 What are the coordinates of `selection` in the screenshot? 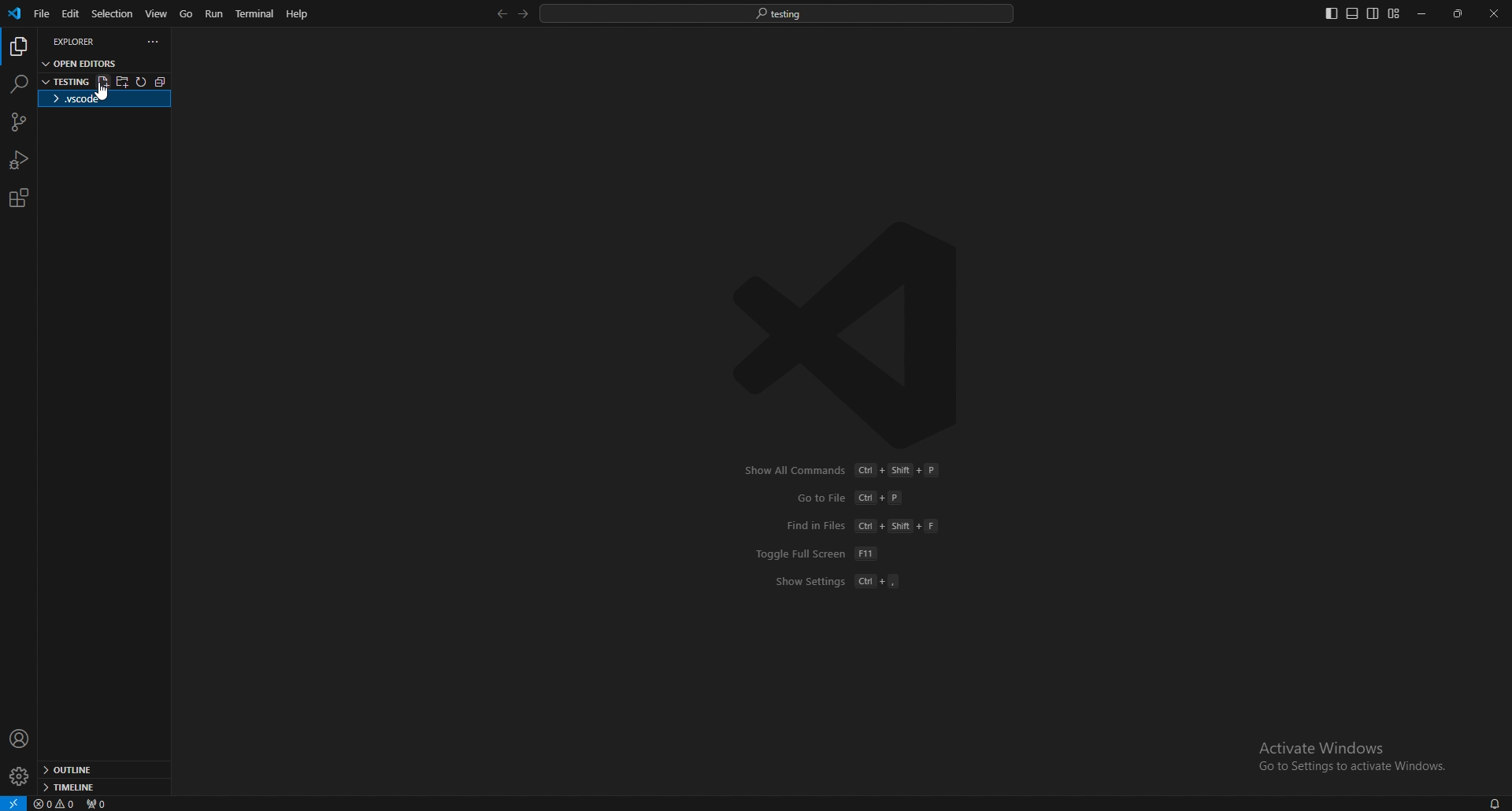 It's located at (112, 13).